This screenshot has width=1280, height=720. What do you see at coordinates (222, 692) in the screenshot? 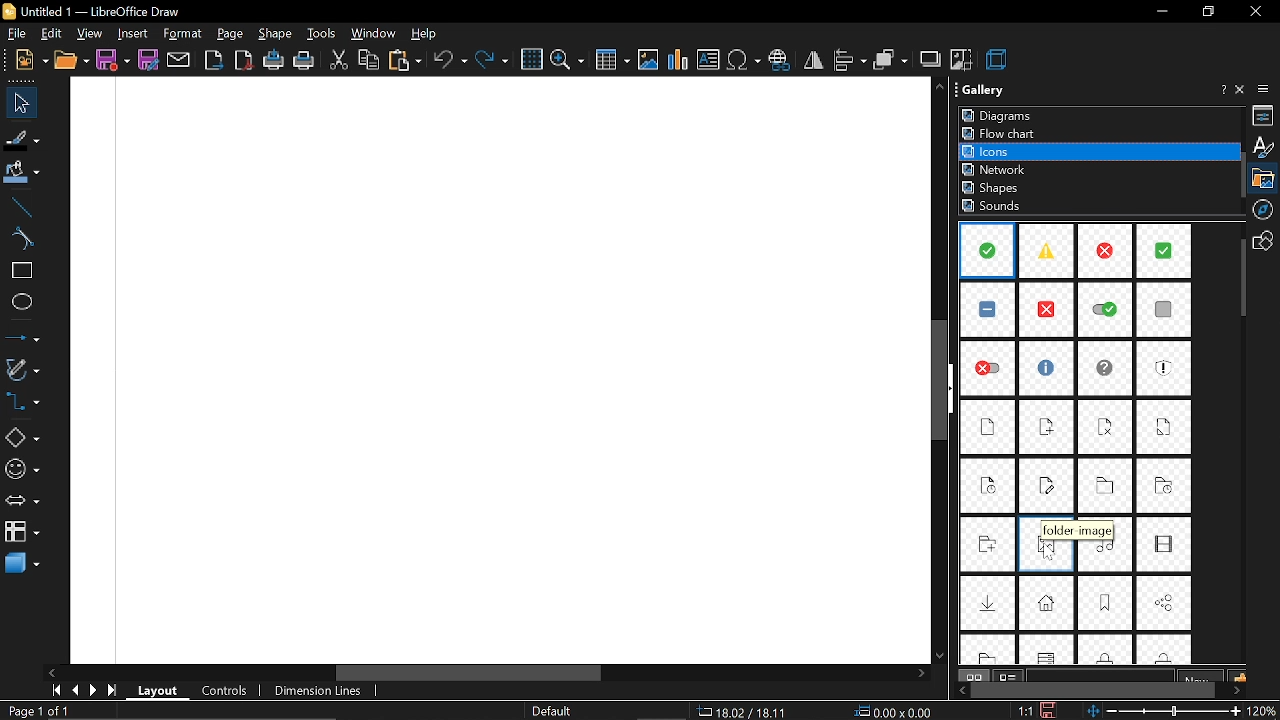
I see `controls` at bounding box center [222, 692].